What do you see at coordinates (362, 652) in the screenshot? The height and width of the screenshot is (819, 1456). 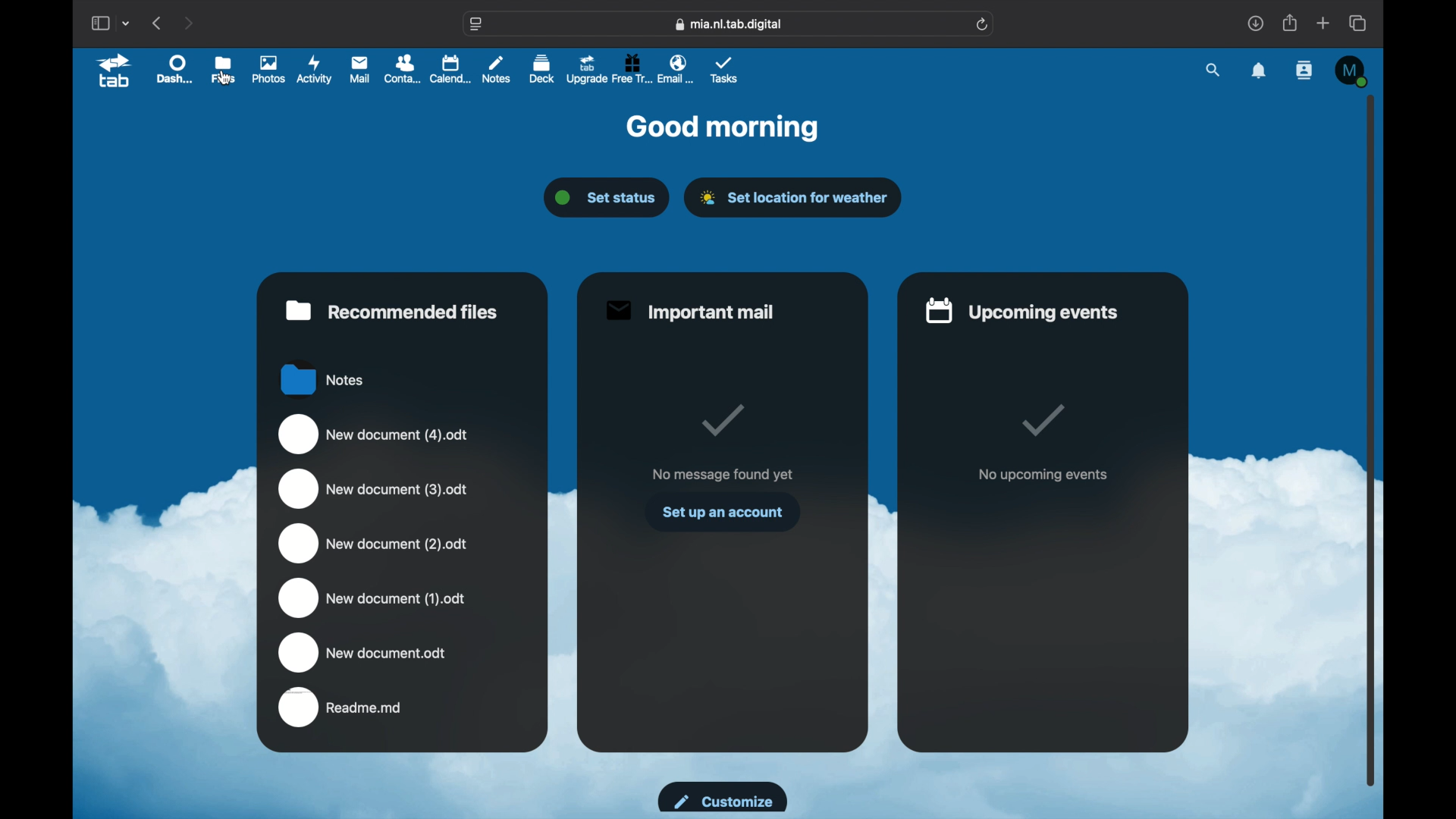 I see `new document` at bounding box center [362, 652].